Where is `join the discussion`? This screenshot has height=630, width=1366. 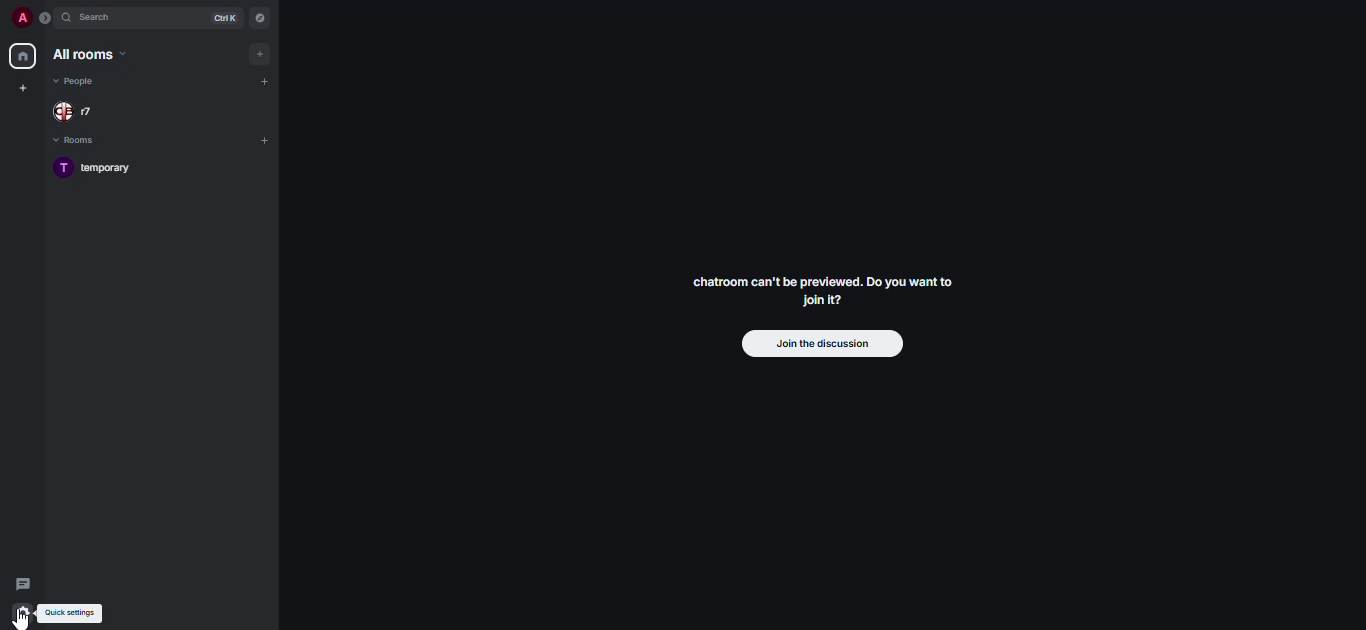 join the discussion is located at coordinates (823, 344).